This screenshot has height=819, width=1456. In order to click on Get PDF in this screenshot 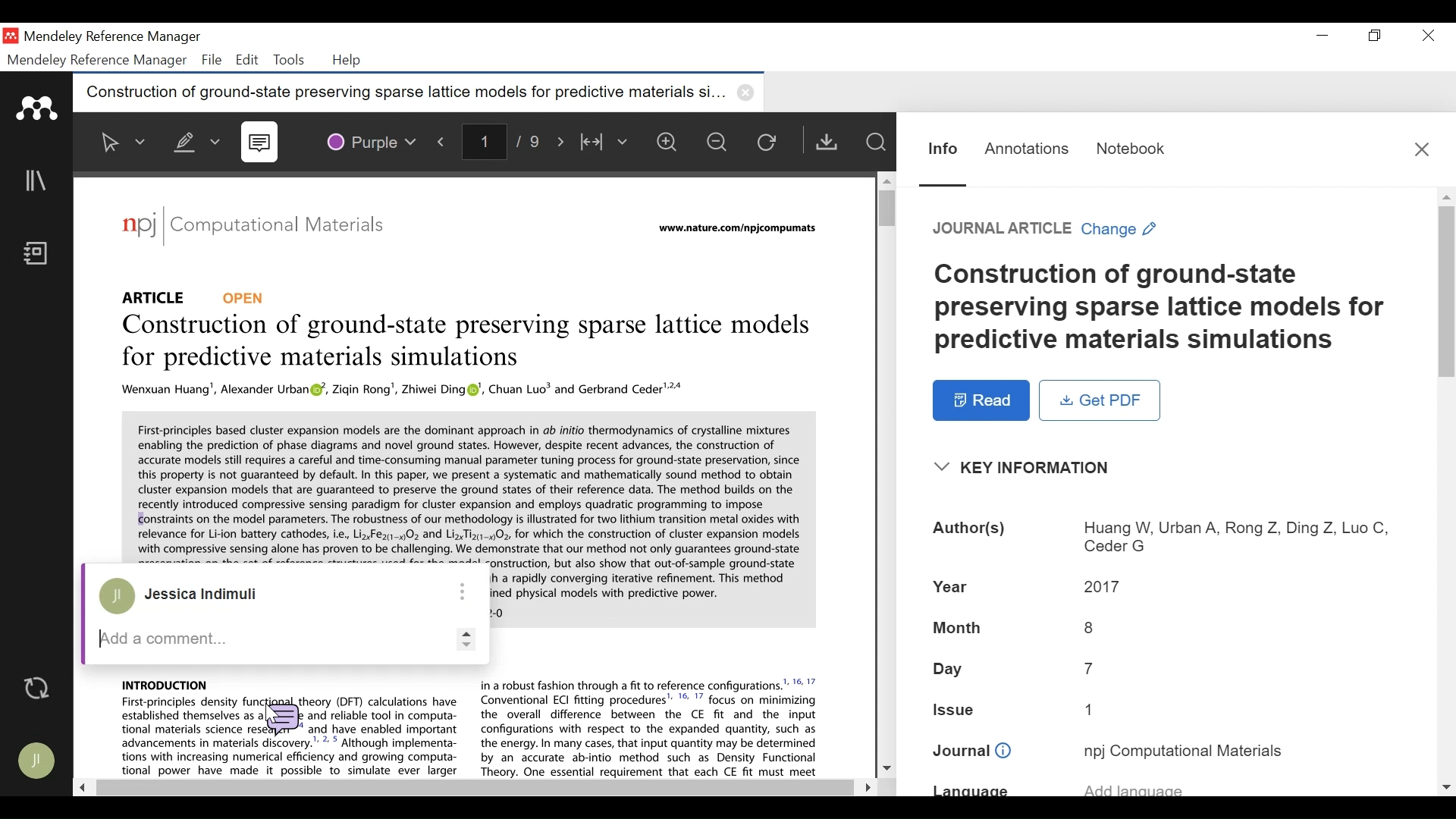, I will do `click(1100, 400)`.